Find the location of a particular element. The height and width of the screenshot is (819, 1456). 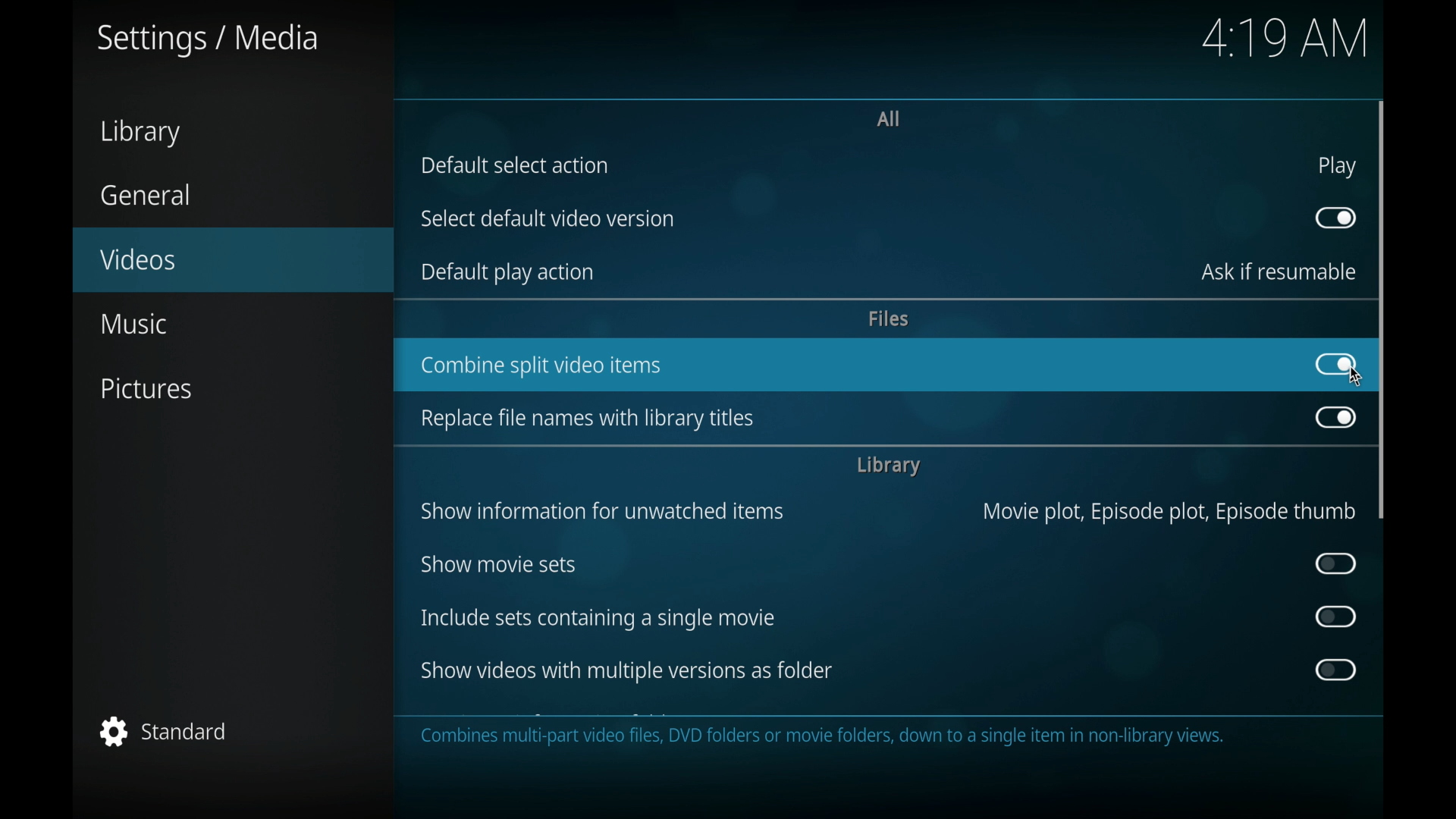

library is located at coordinates (142, 133).